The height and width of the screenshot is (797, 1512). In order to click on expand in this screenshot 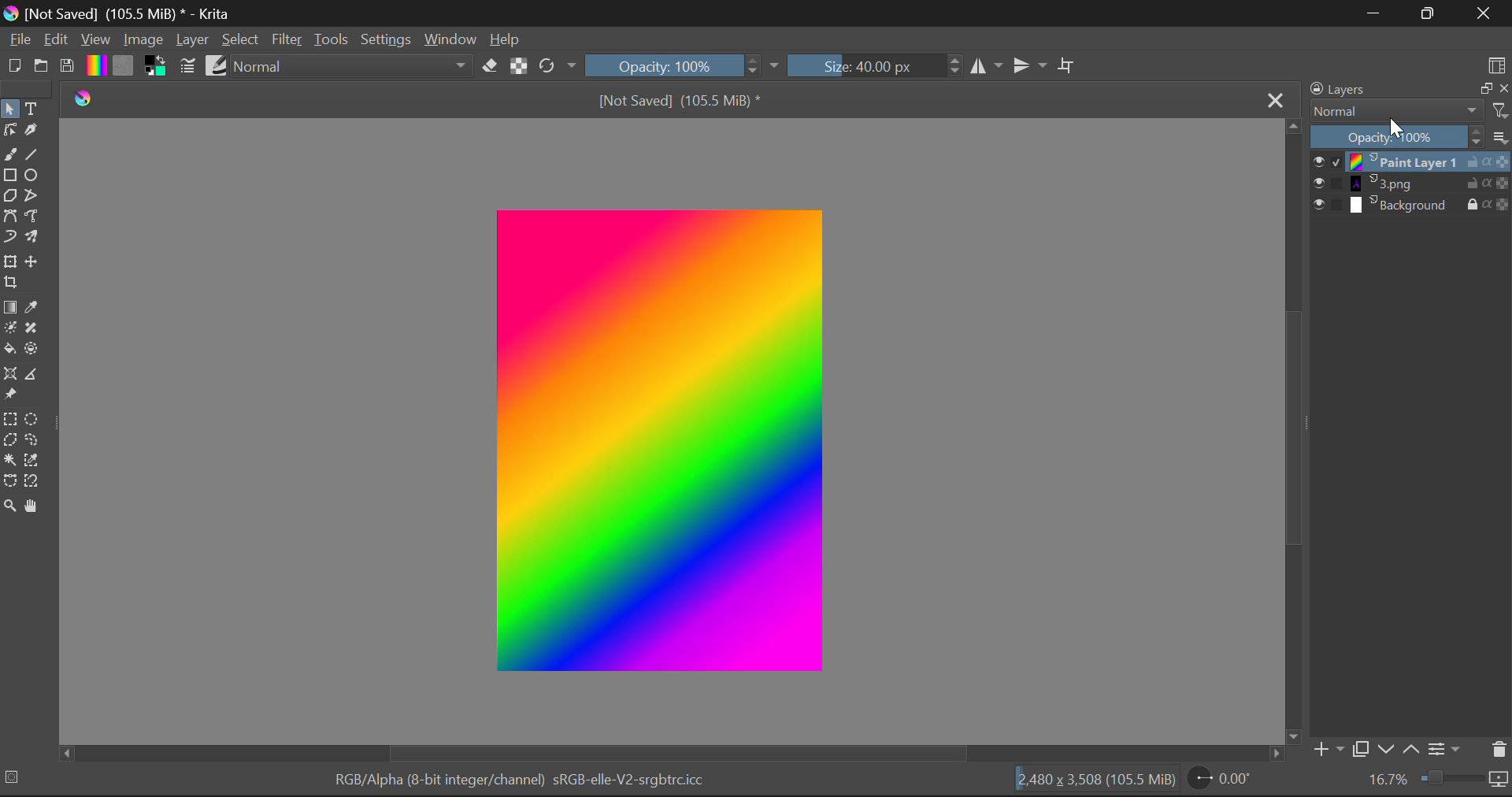, I will do `click(774, 67)`.